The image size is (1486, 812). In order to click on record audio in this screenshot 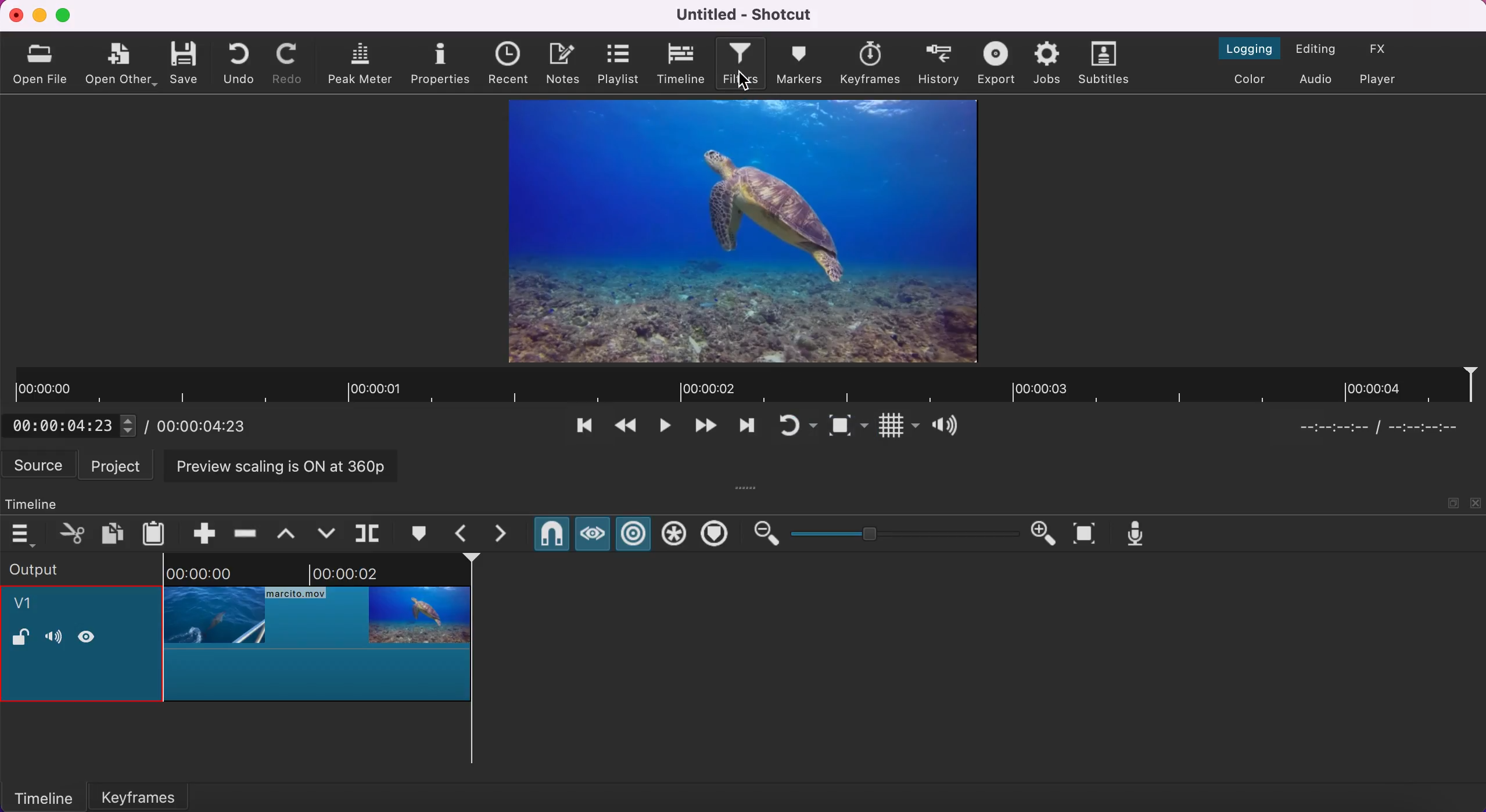, I will do `click(1134, 531)`.